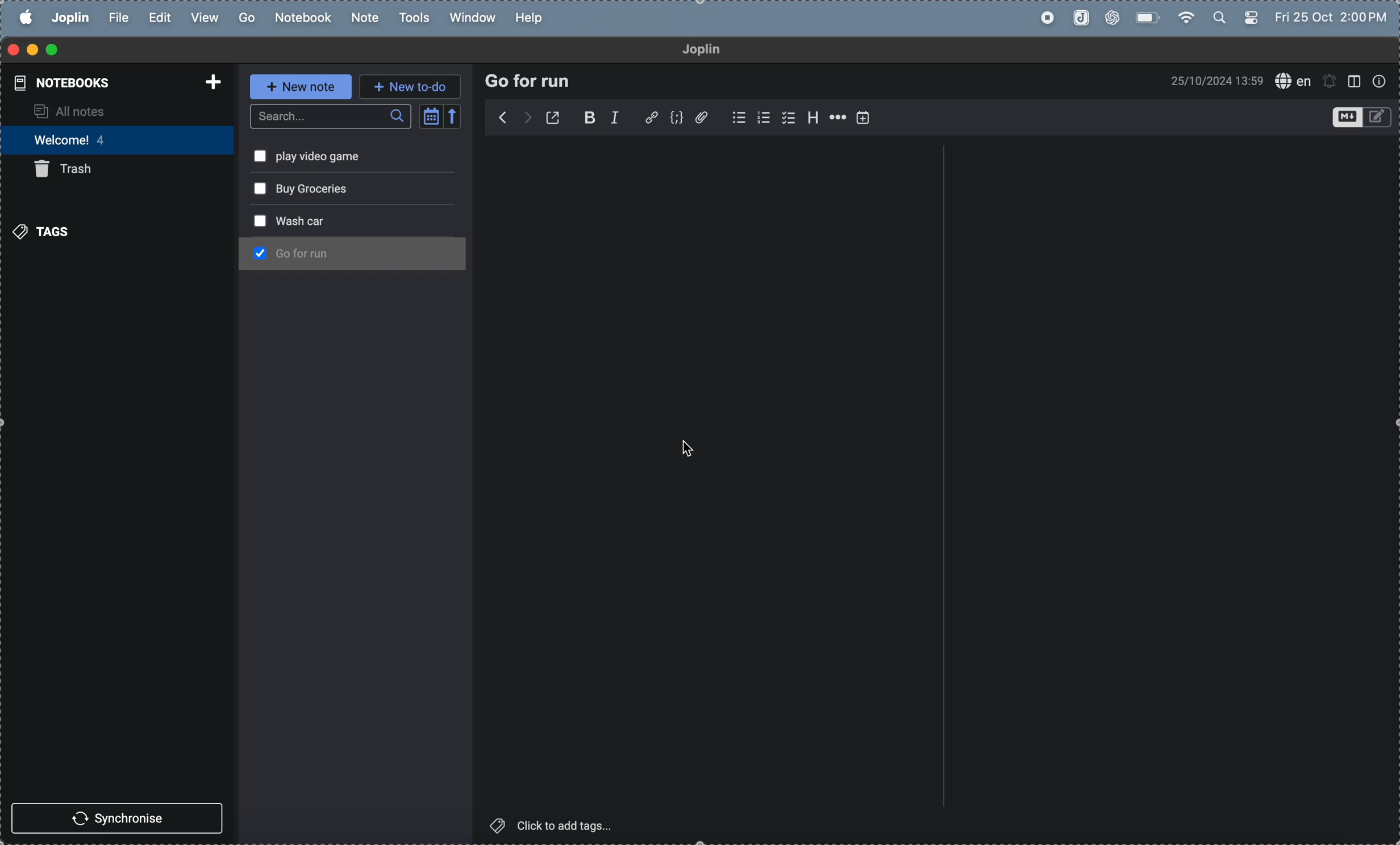  I want to click on code, so click(678, 119).